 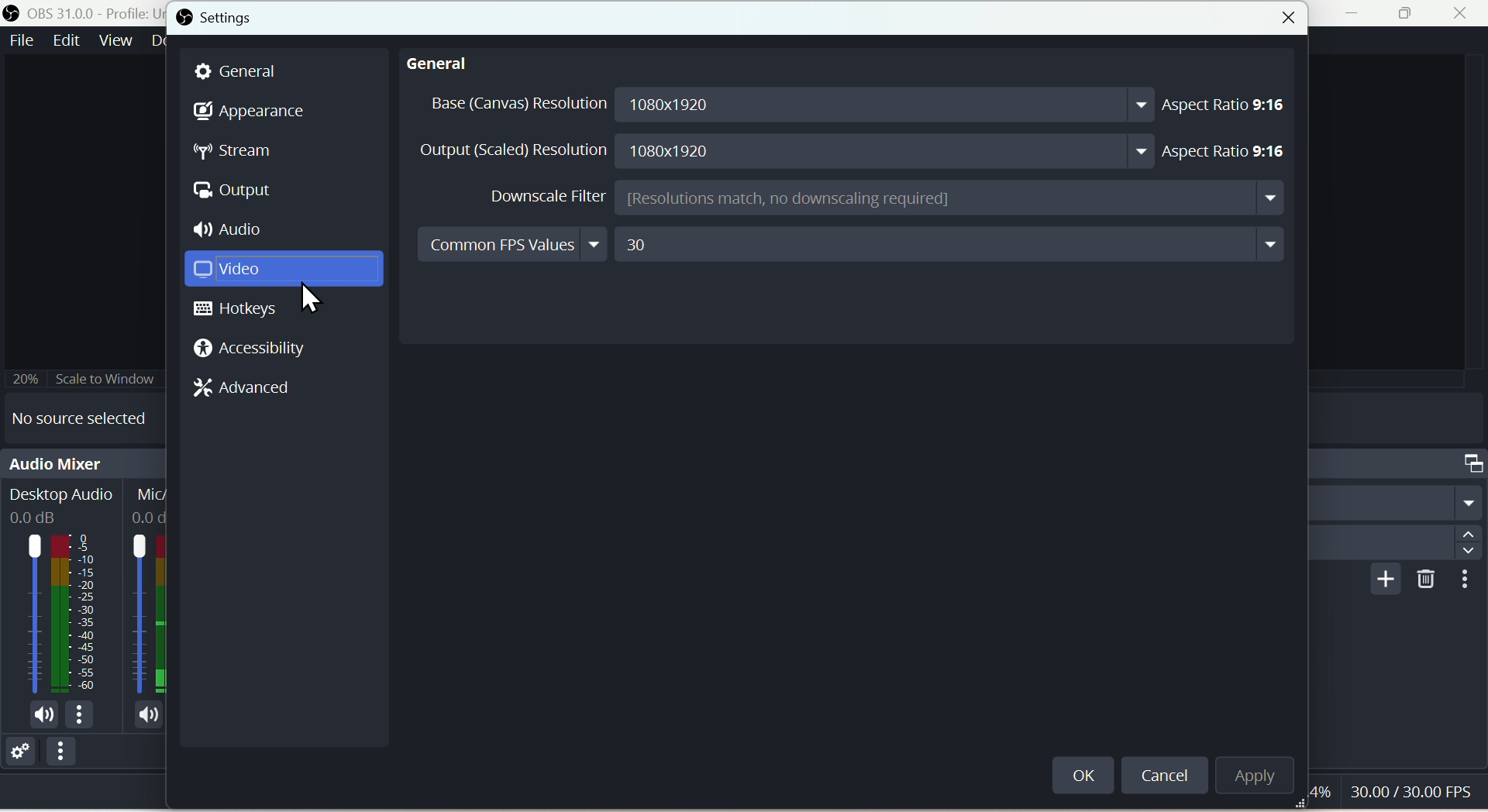 I want to click on Base resolution, so click(x=785, y=105).